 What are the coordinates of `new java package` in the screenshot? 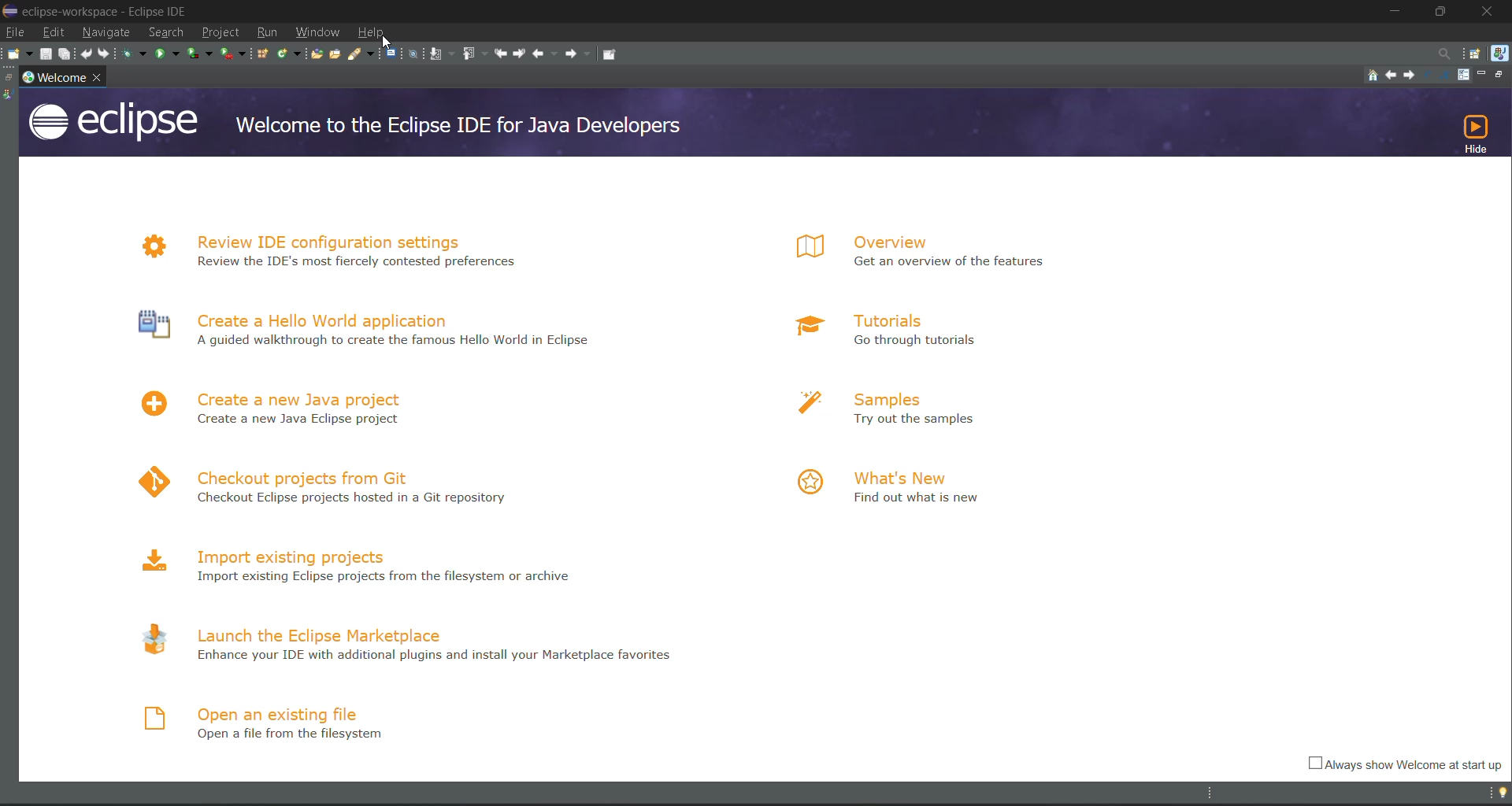 It's located at (261, 51).